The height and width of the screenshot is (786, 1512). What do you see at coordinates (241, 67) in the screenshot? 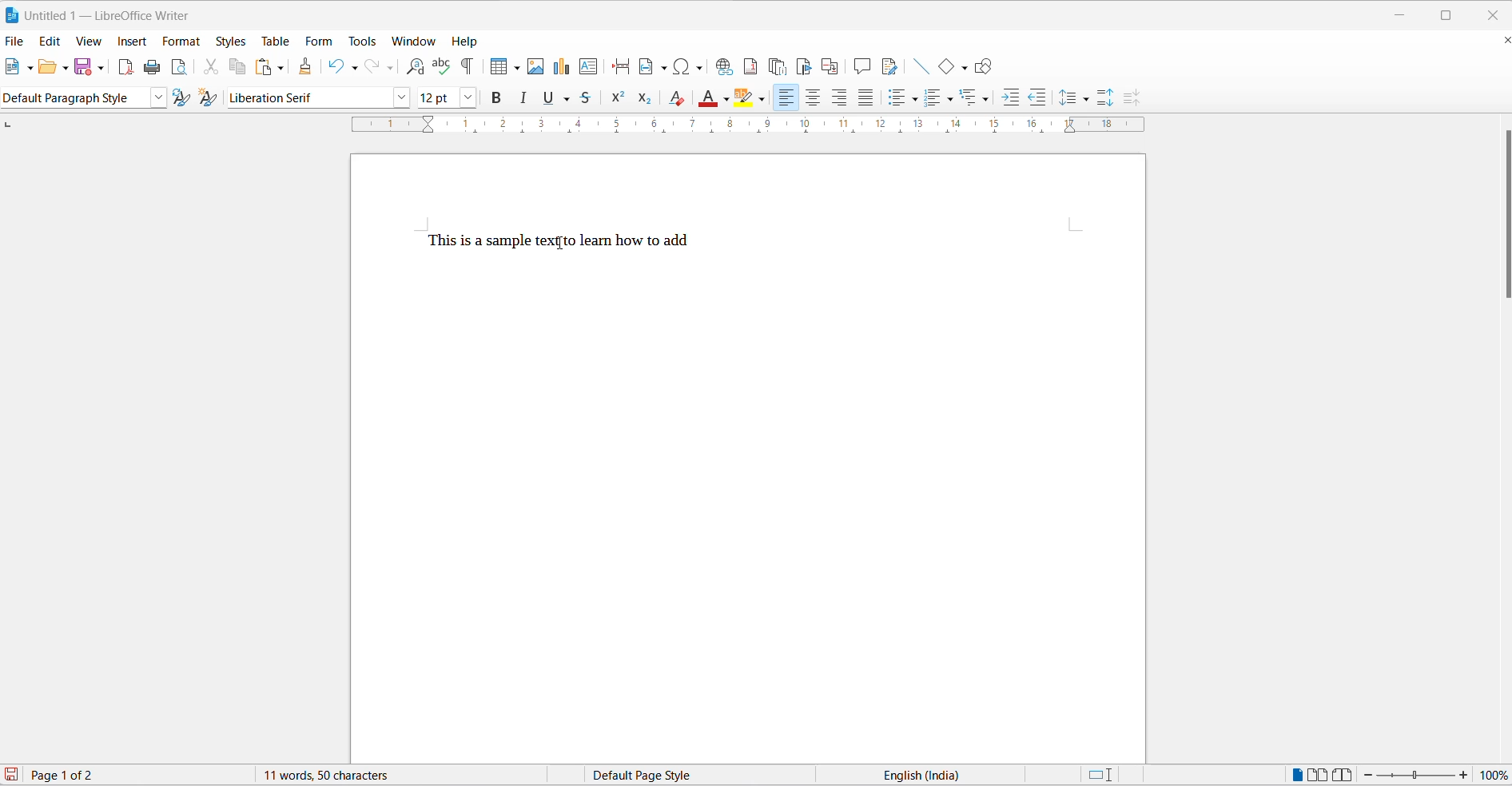
I see `copy` at bounding box center [241, 67].